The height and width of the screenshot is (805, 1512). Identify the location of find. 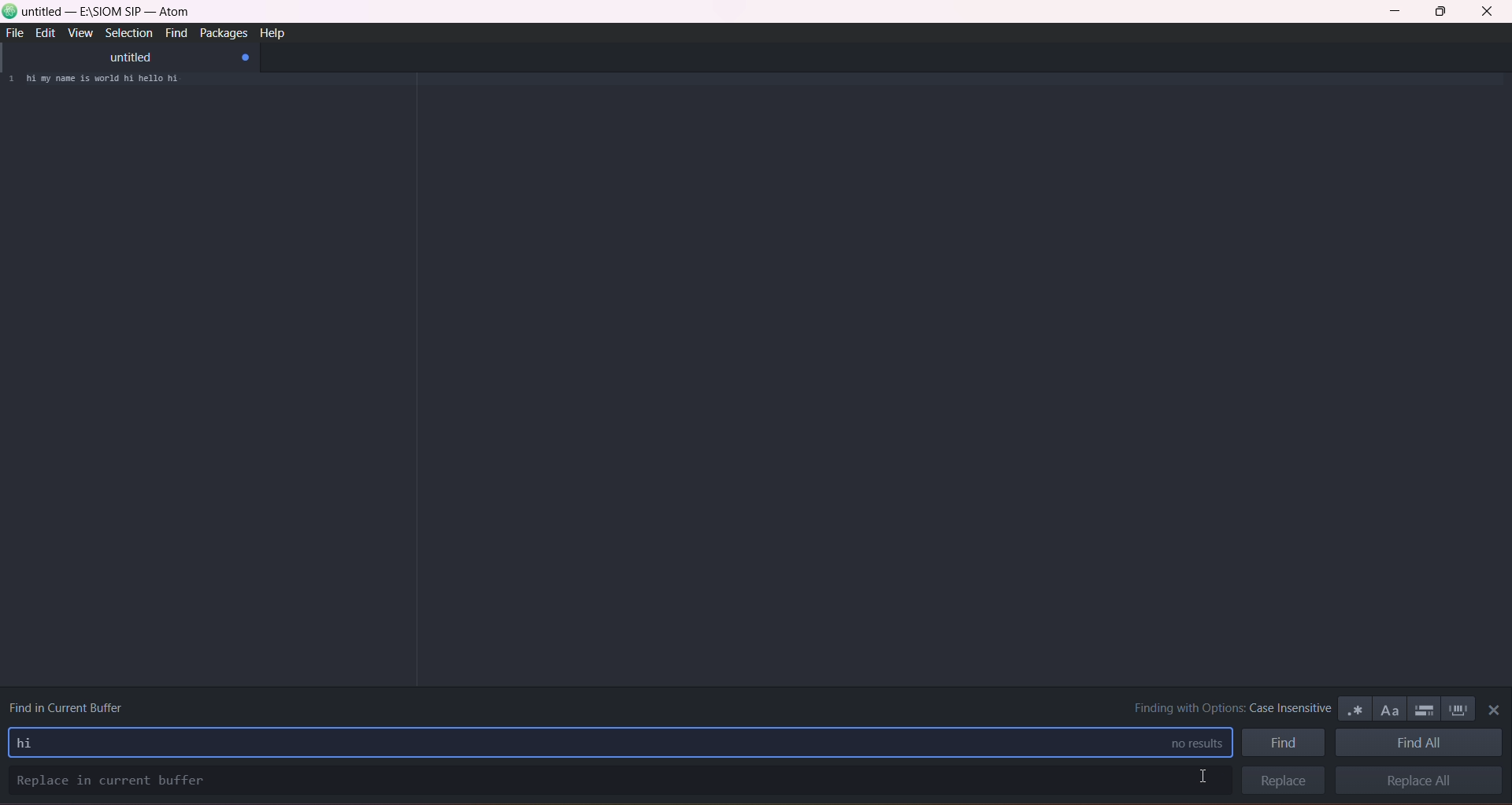
(173, 35).